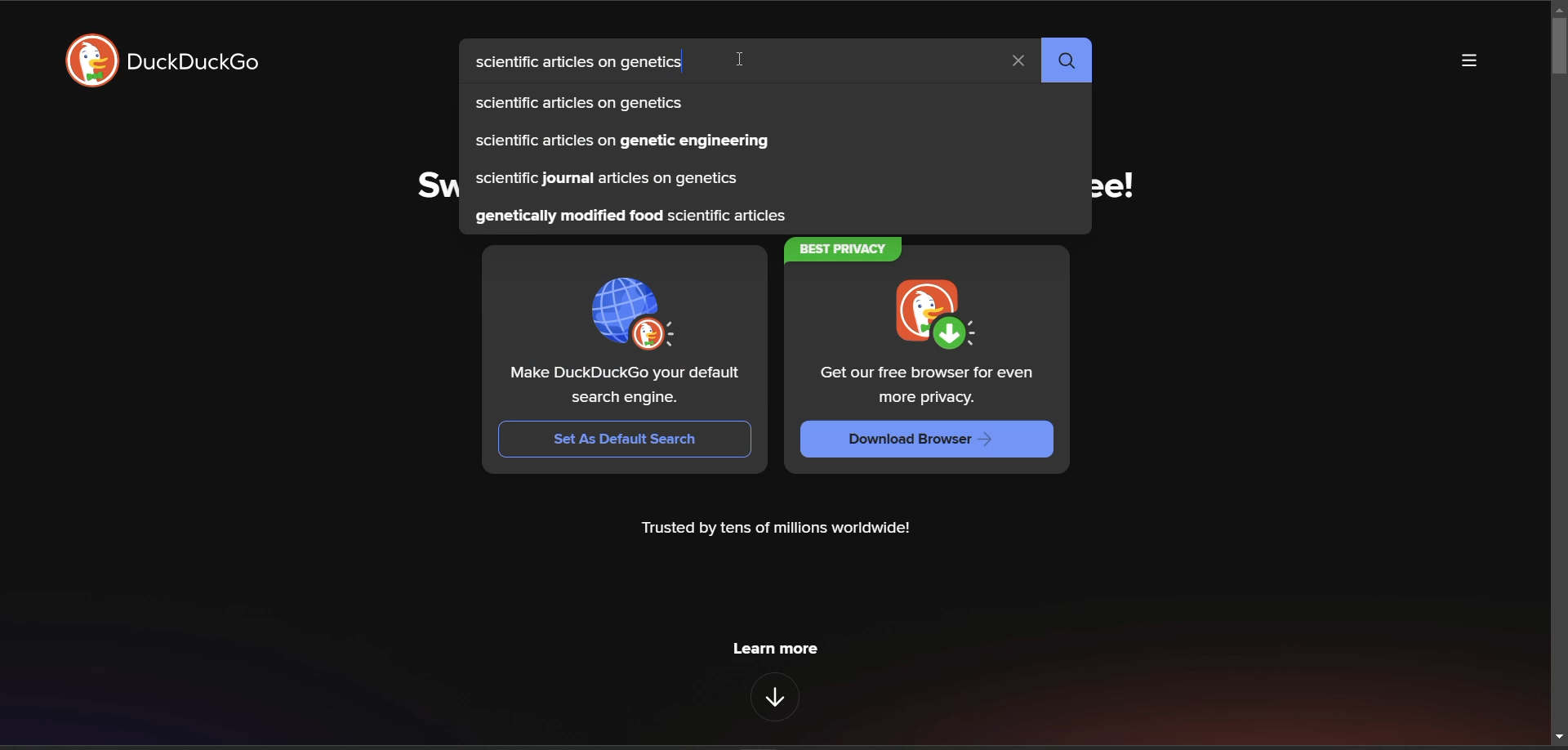 The width and height of the screenshot is (1568, 750). What do you see at coordinates (195, 65) in the screenshot?
I see `DuckDuckGo` at bounding box center [195, 65].